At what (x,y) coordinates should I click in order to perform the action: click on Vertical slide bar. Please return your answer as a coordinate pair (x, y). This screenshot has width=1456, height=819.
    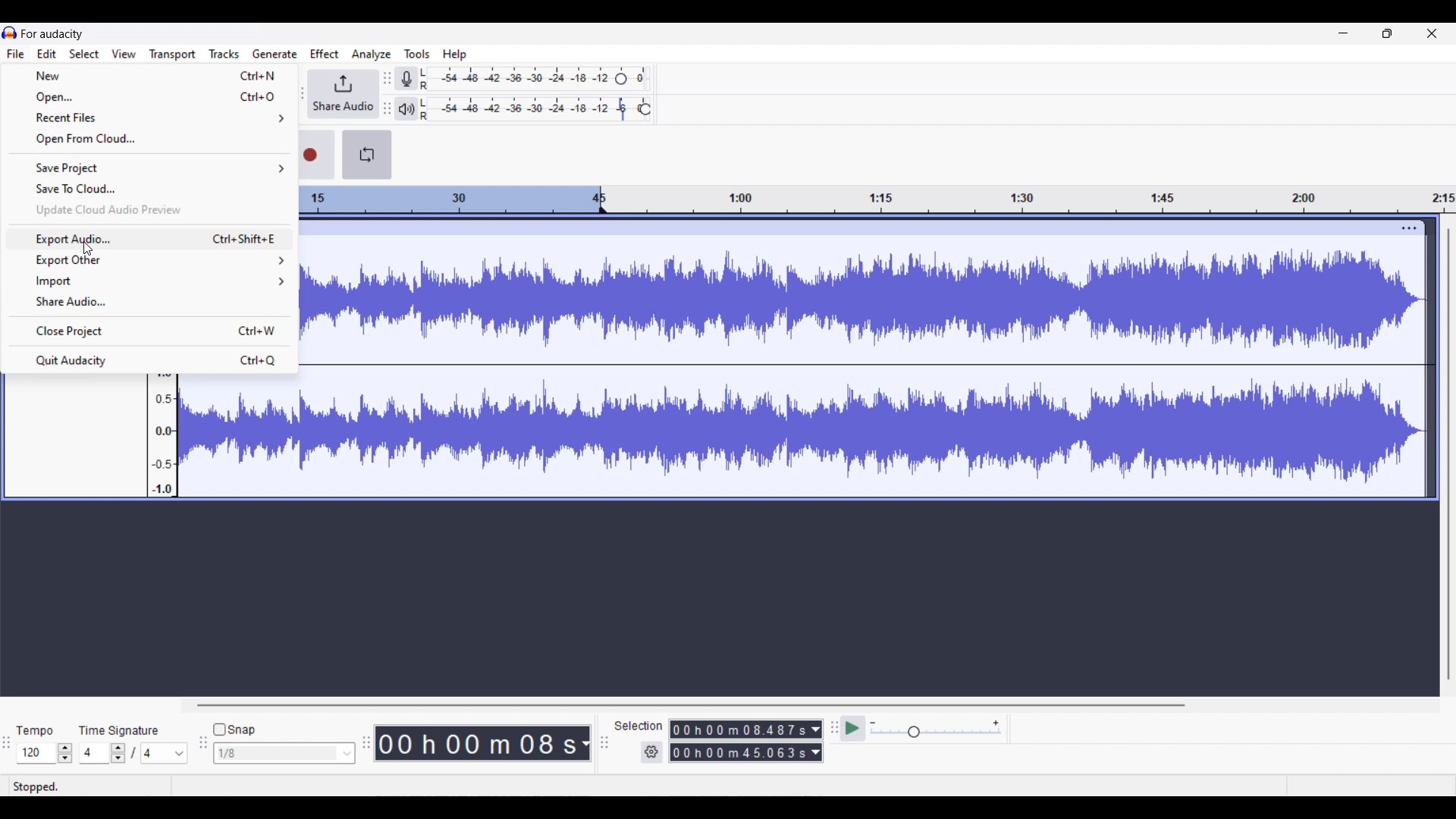
    Looking at the image, I should click on (1449, 454).